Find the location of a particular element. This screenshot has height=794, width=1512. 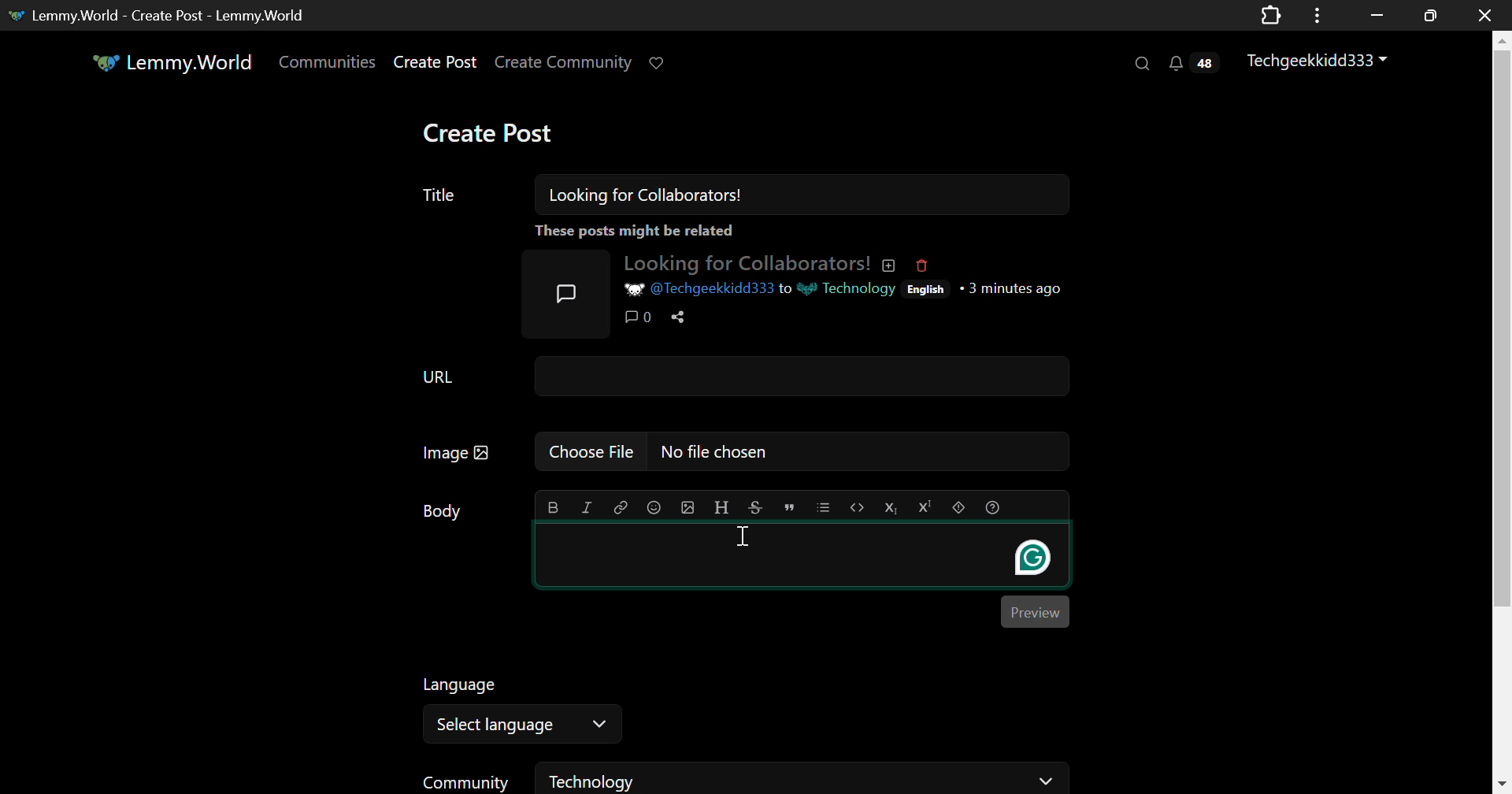

Language is located at coordinates (463, 688).